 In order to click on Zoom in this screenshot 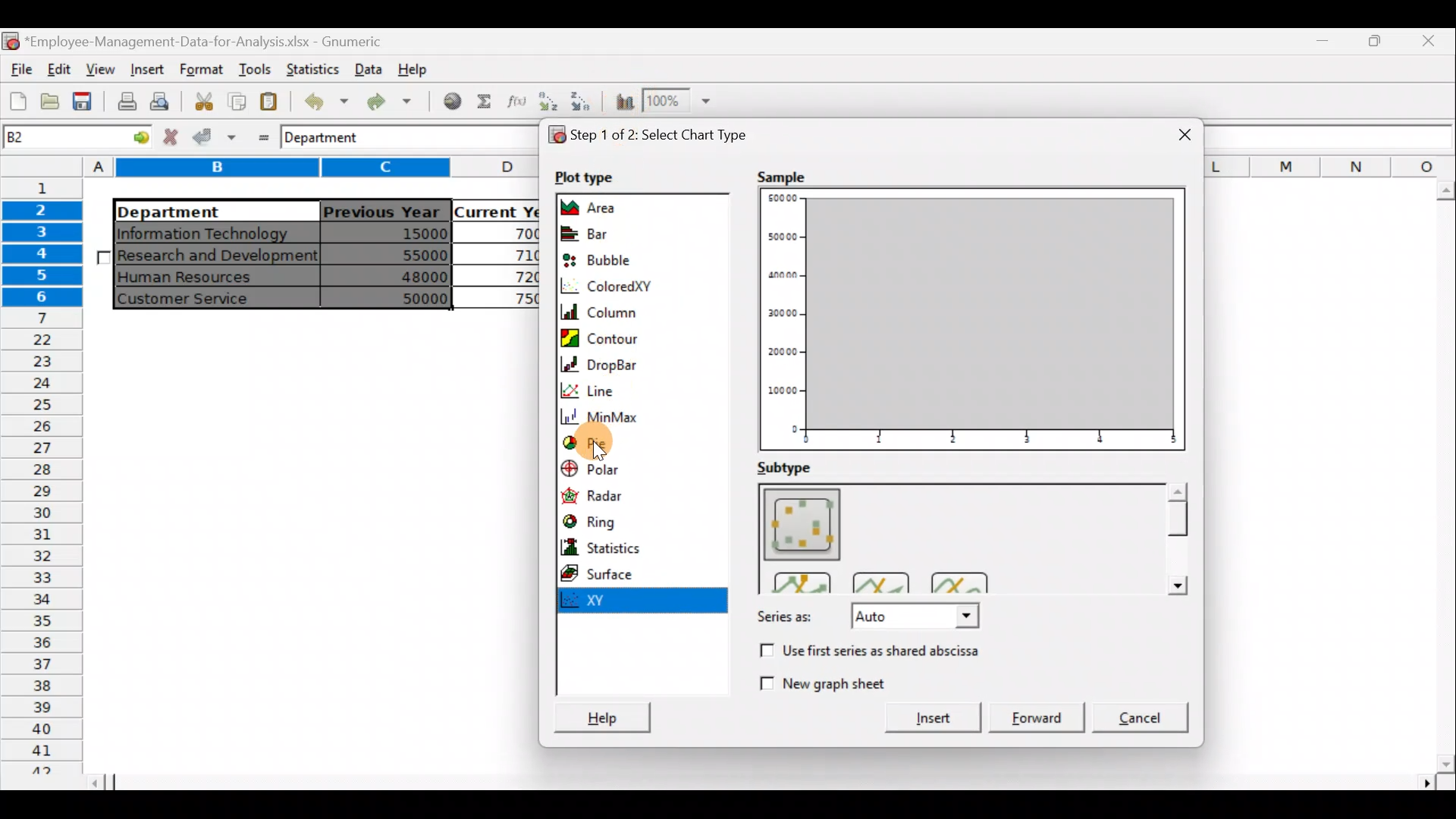, I will do `click(683, 102)`.